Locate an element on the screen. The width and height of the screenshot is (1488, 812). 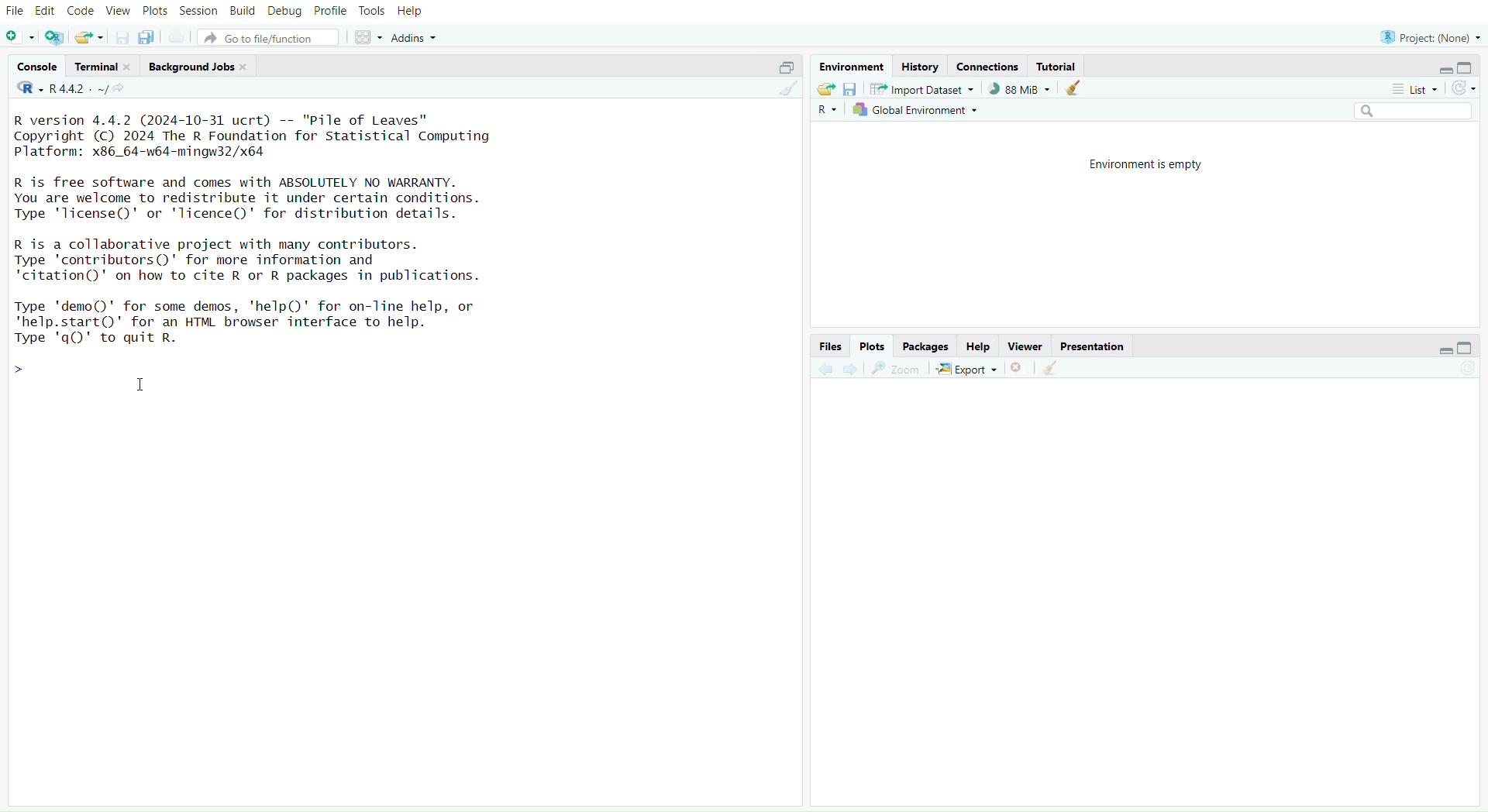
R 4.4.2 is located at coordinates (63, 89).